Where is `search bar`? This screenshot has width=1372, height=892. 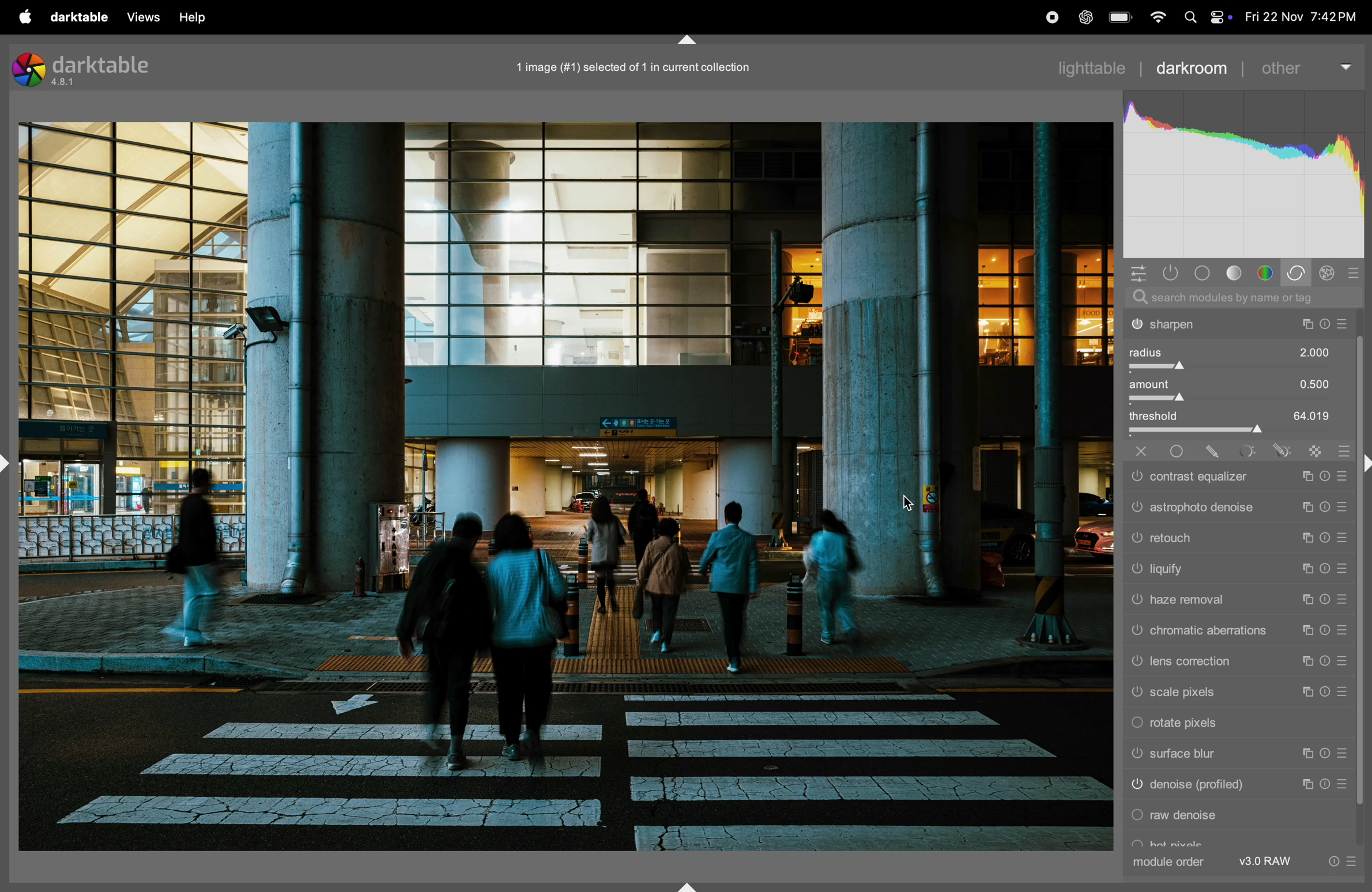 search bar is located at coordinates (1241, 297).